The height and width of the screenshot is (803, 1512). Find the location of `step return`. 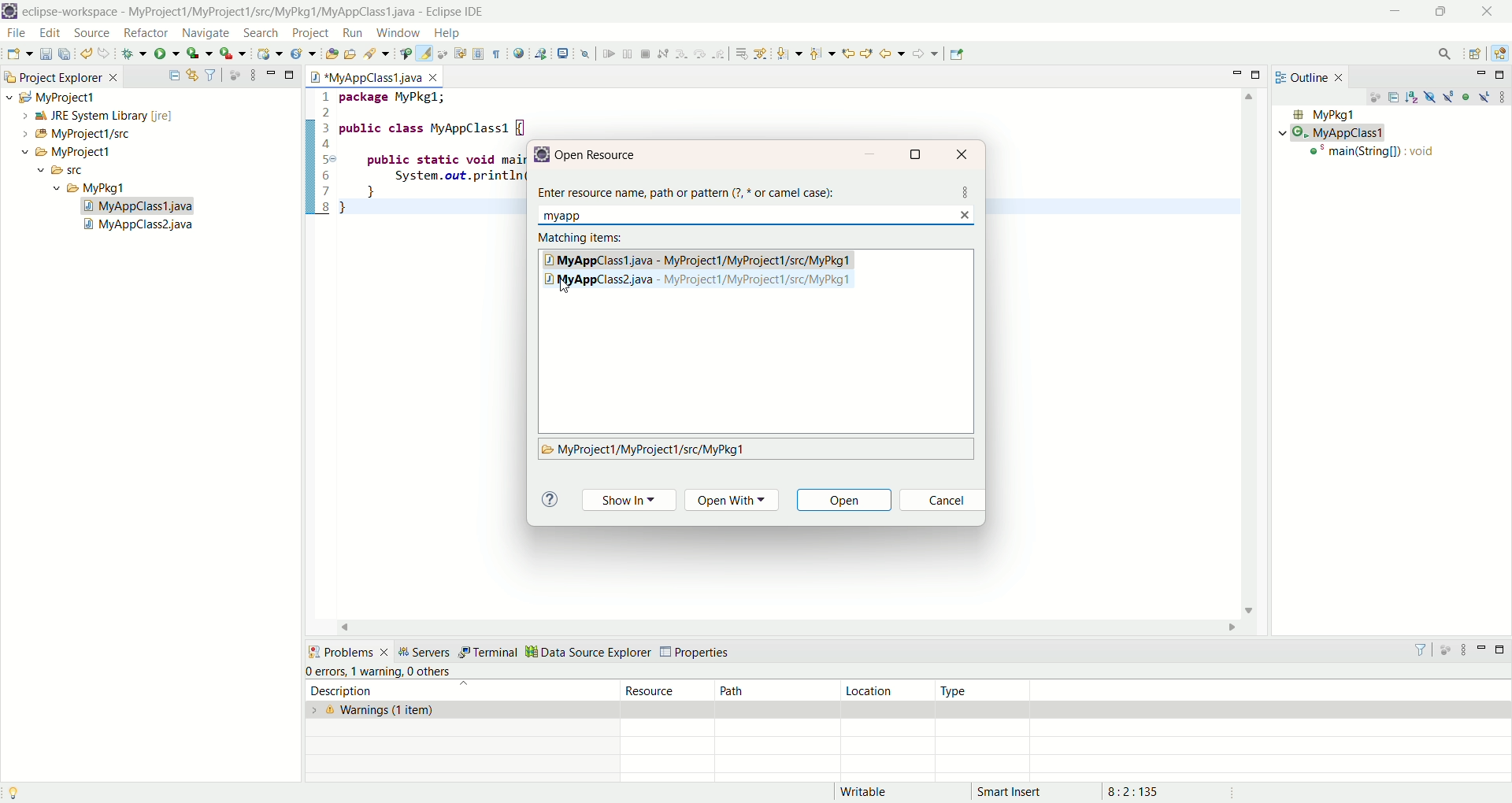

step return is located at coordinates (720, 56).